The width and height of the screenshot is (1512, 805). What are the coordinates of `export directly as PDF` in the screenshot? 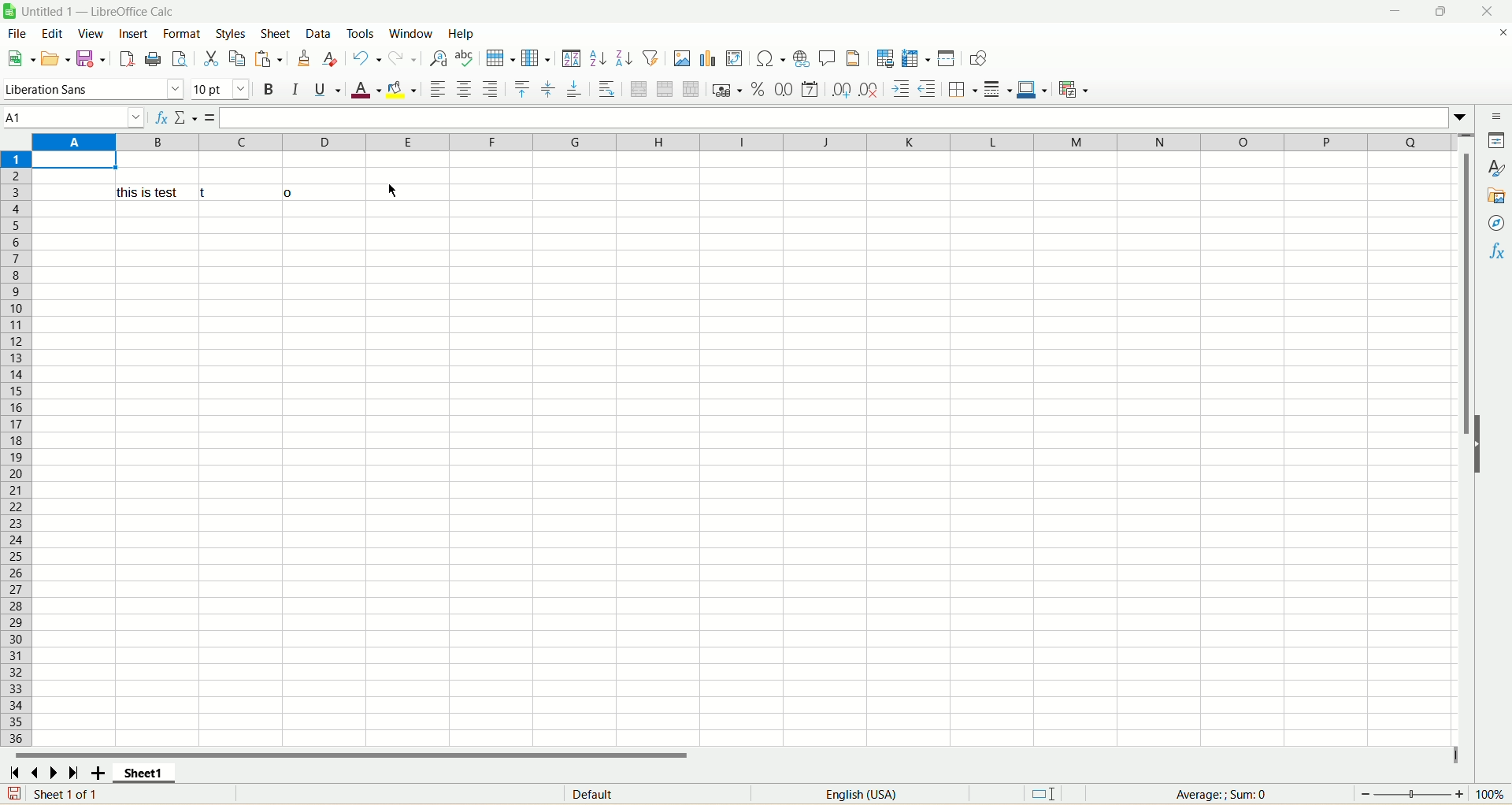 It's located at (124, 57).